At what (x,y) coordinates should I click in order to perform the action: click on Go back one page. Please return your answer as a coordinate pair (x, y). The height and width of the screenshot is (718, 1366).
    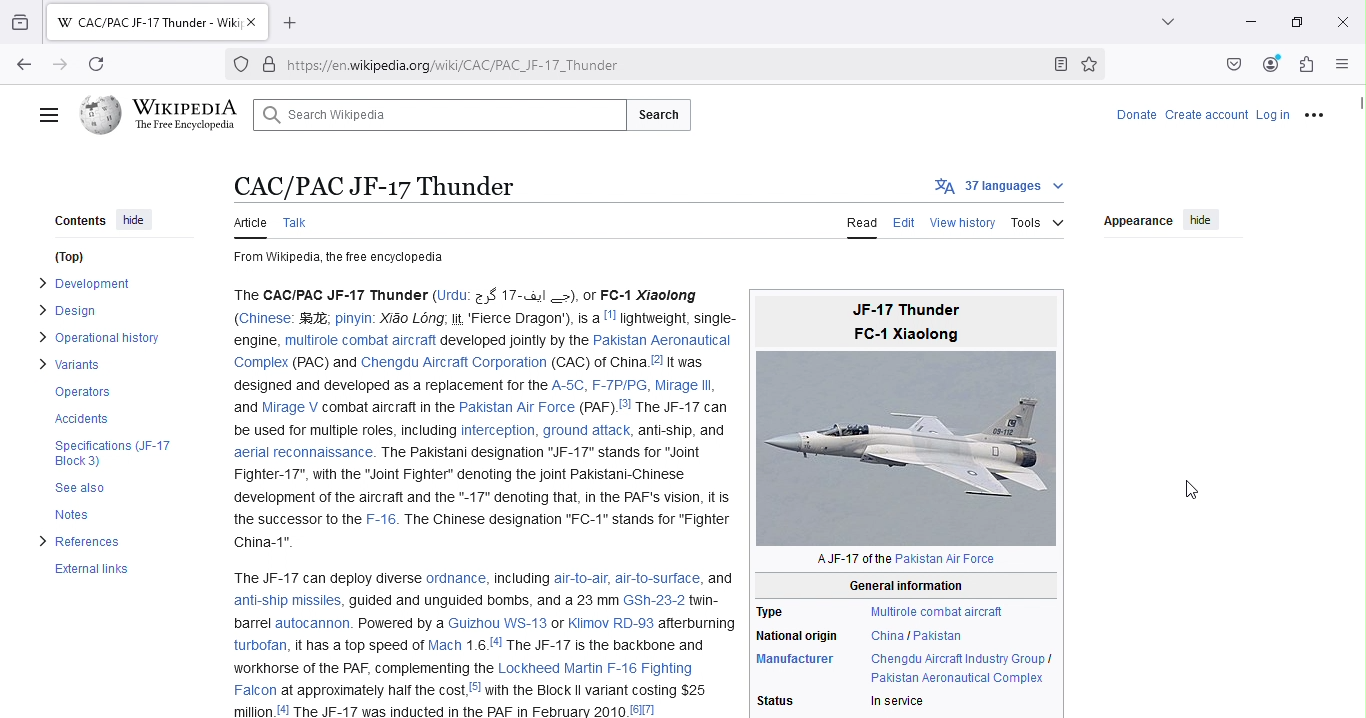
    Looking at the image, I should click on (22, 67).